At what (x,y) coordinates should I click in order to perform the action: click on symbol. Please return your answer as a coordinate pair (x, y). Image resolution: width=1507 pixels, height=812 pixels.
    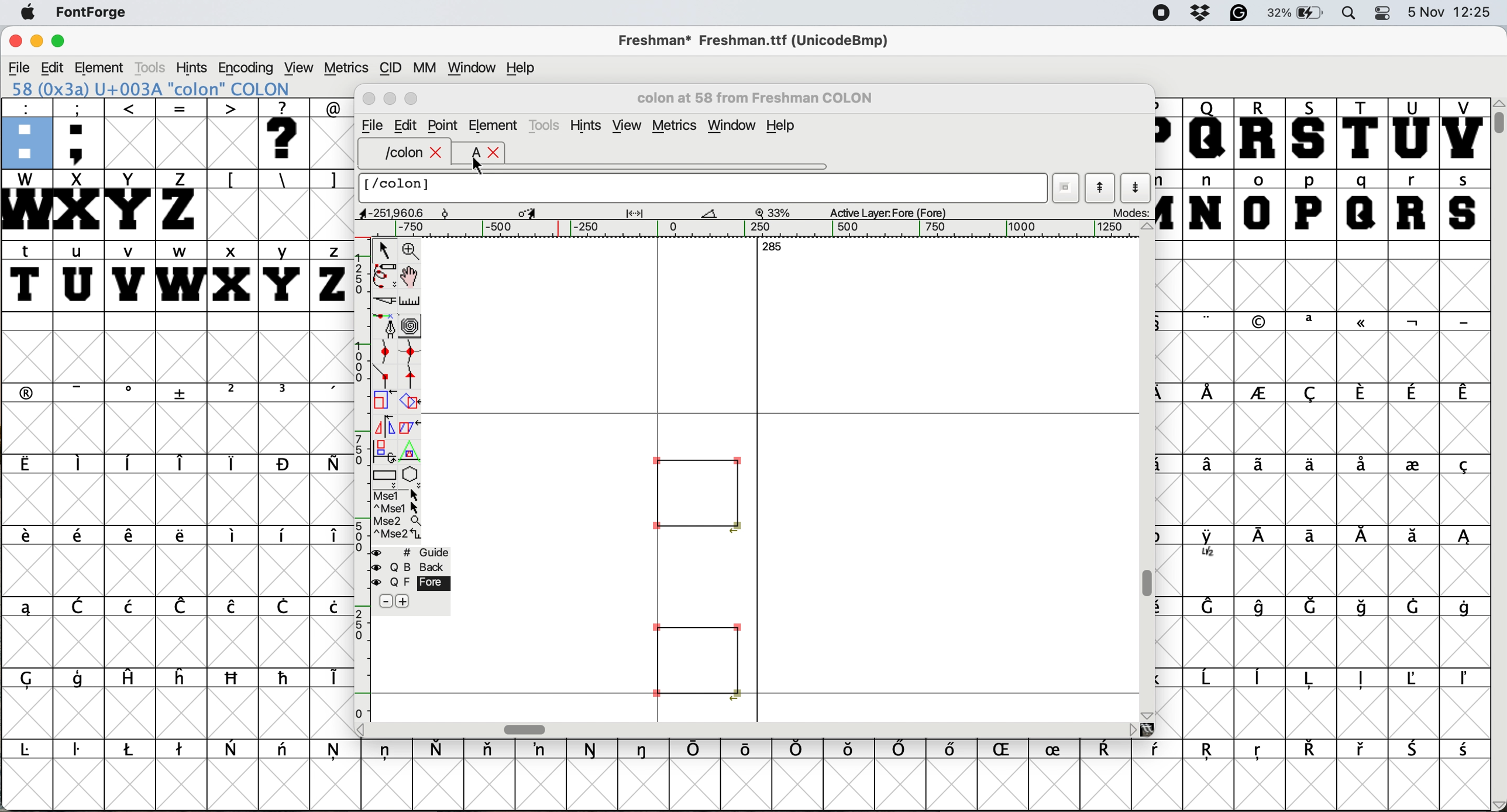
    Looking at the image, I should click on (1412, 322).